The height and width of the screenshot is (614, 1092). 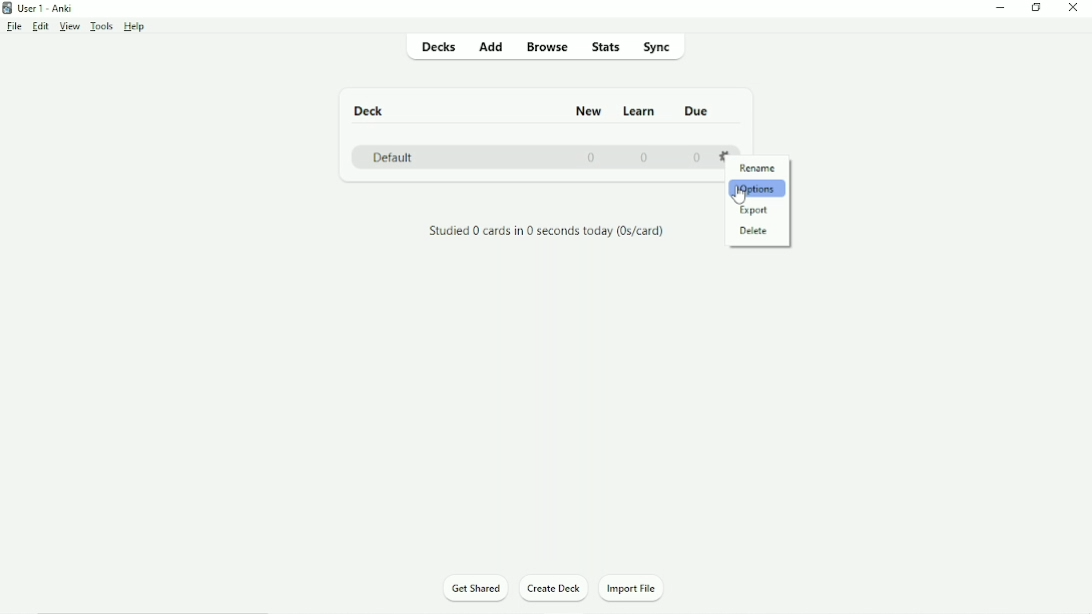 What do you see at coordinates (556, 588) in the screenshot?
I see `Create Deck` at bounding box center [556, 588].